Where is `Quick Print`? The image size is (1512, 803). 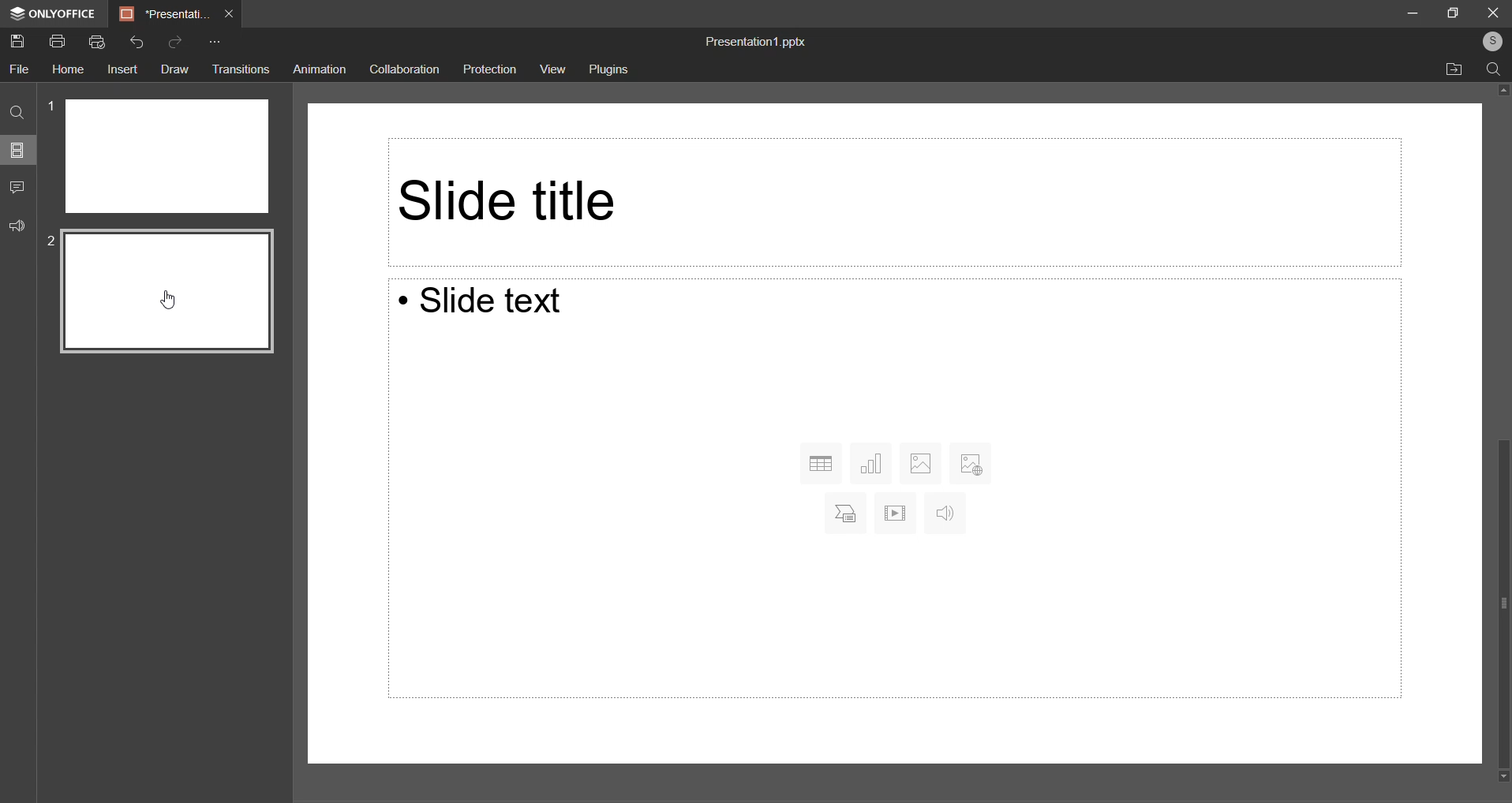
Quick Print is located at coordinates (97, 43).